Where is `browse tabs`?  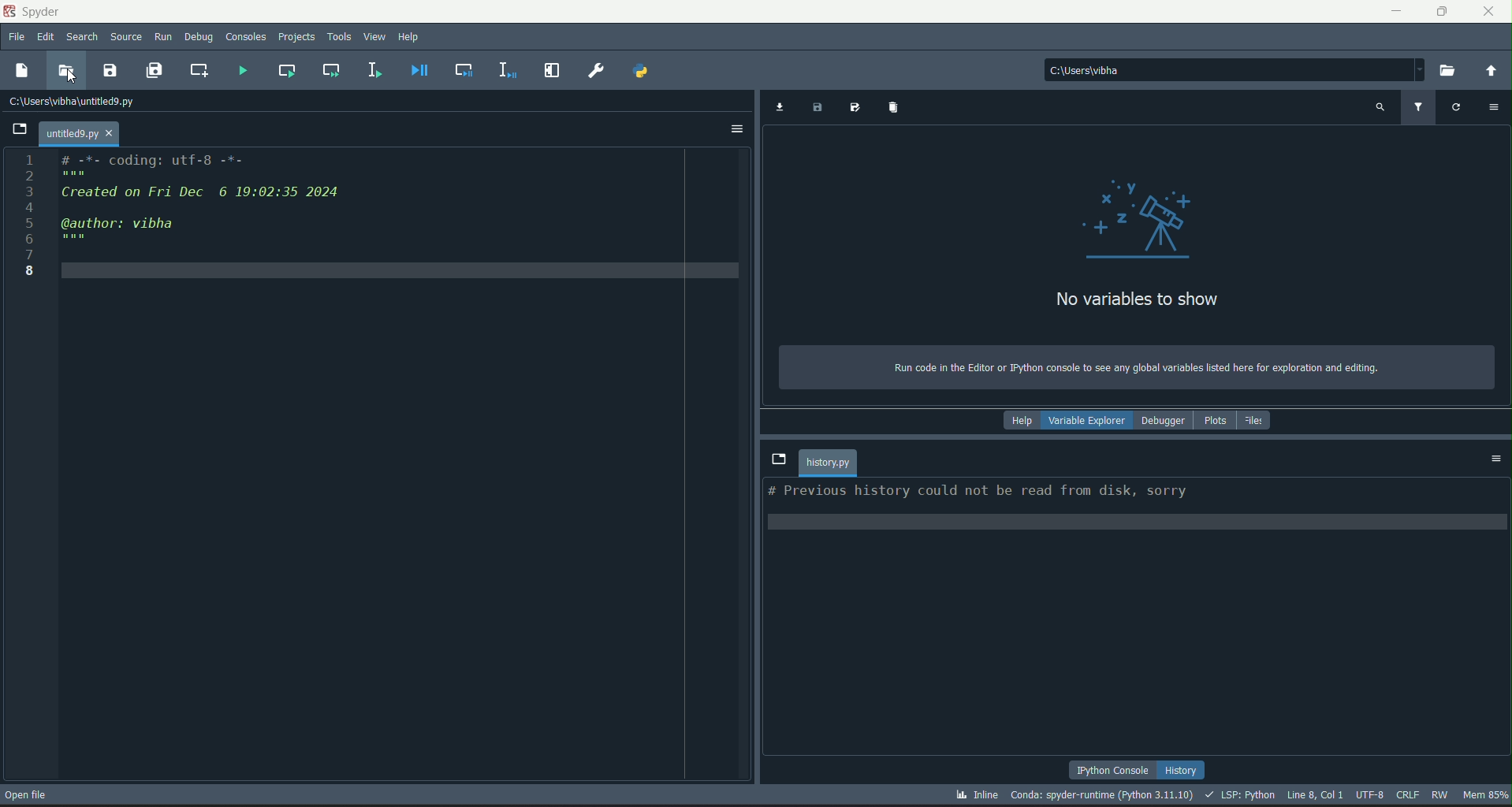
browse tabs is located at coordinates (778, 460).